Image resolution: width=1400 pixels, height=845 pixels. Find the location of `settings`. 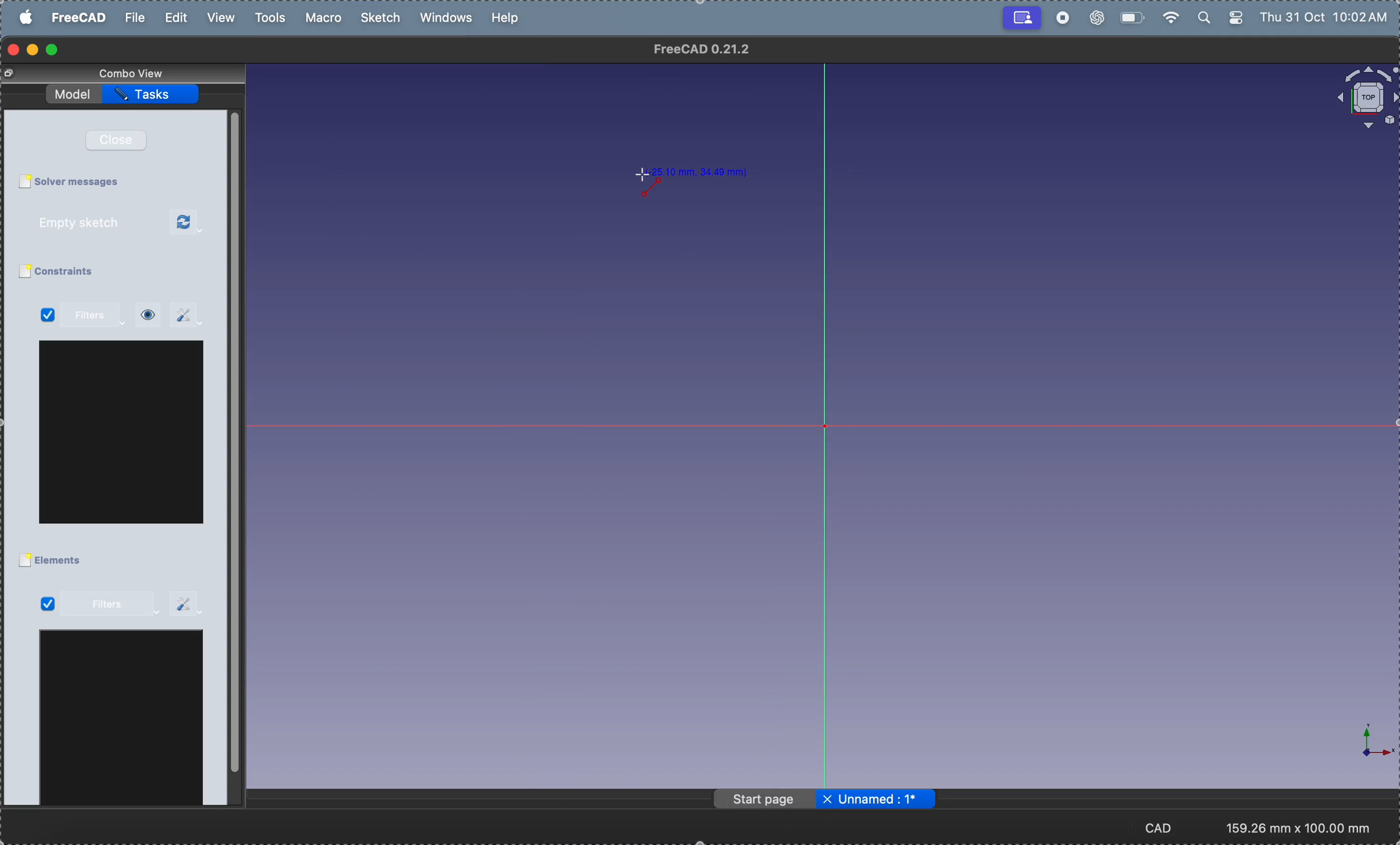

settings is located at coordinates (188, 603).